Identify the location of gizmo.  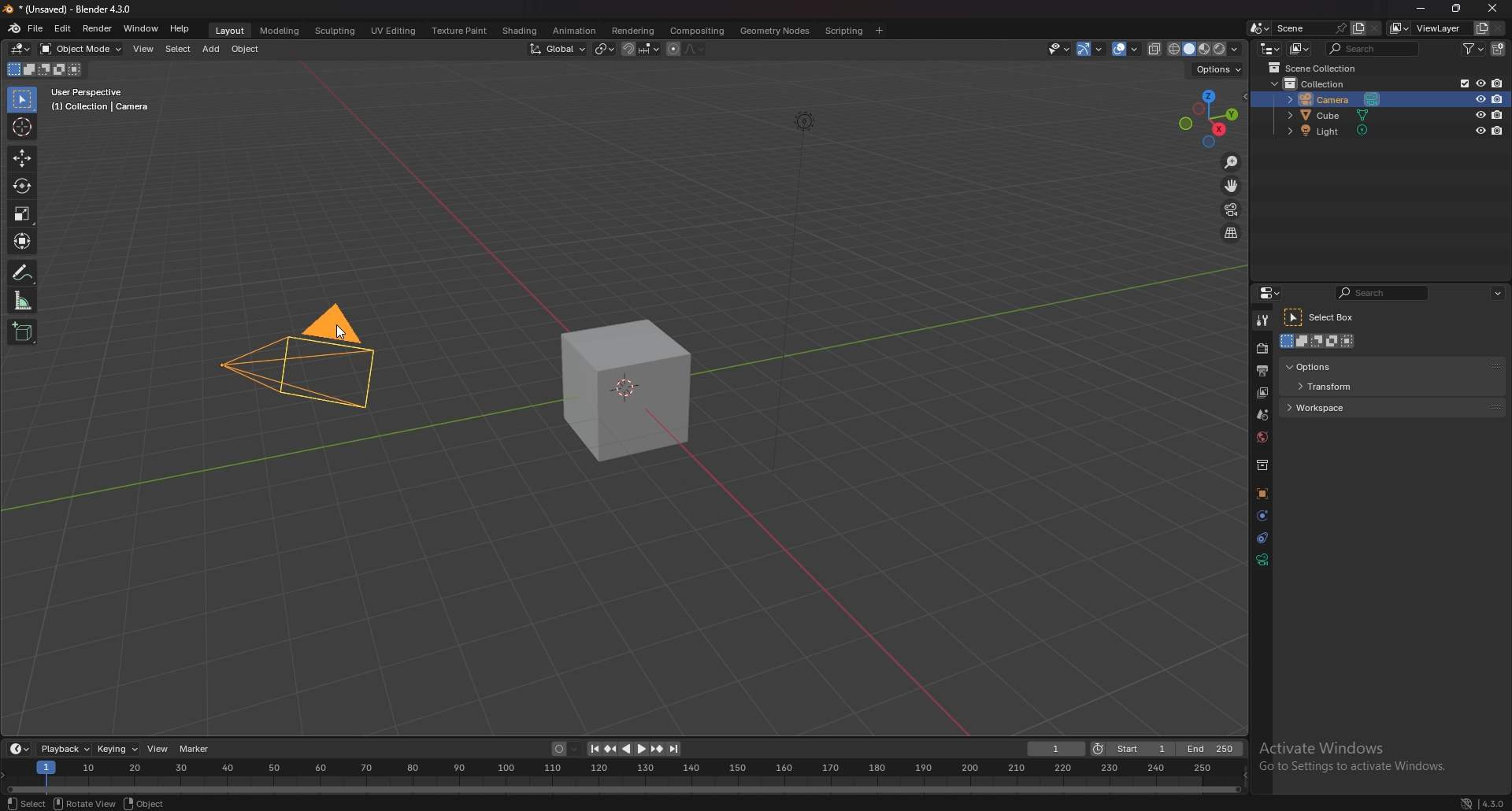
(1091, 49).